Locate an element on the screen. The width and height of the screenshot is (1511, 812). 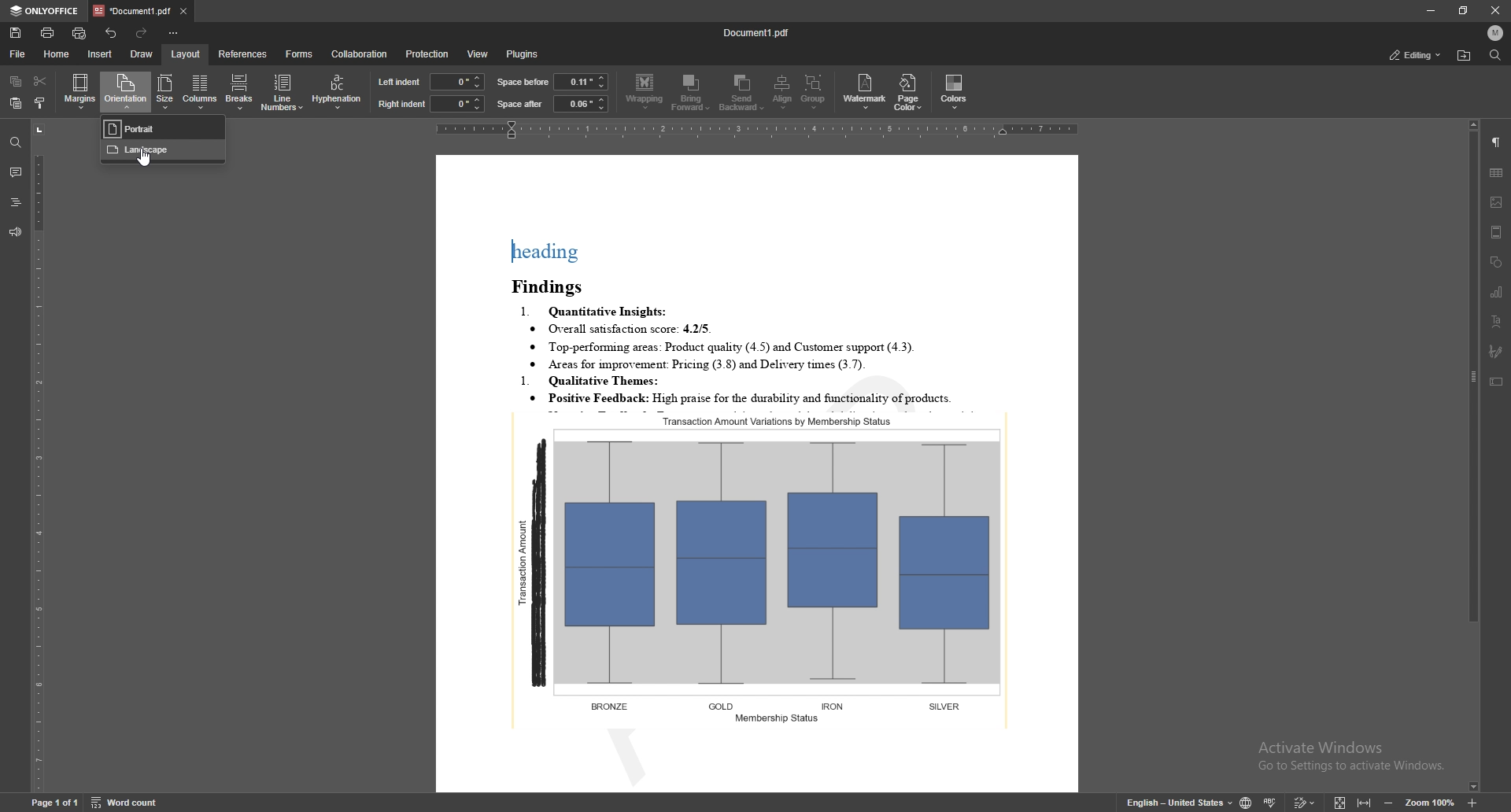
text box is located at coordinates (1496, 381).